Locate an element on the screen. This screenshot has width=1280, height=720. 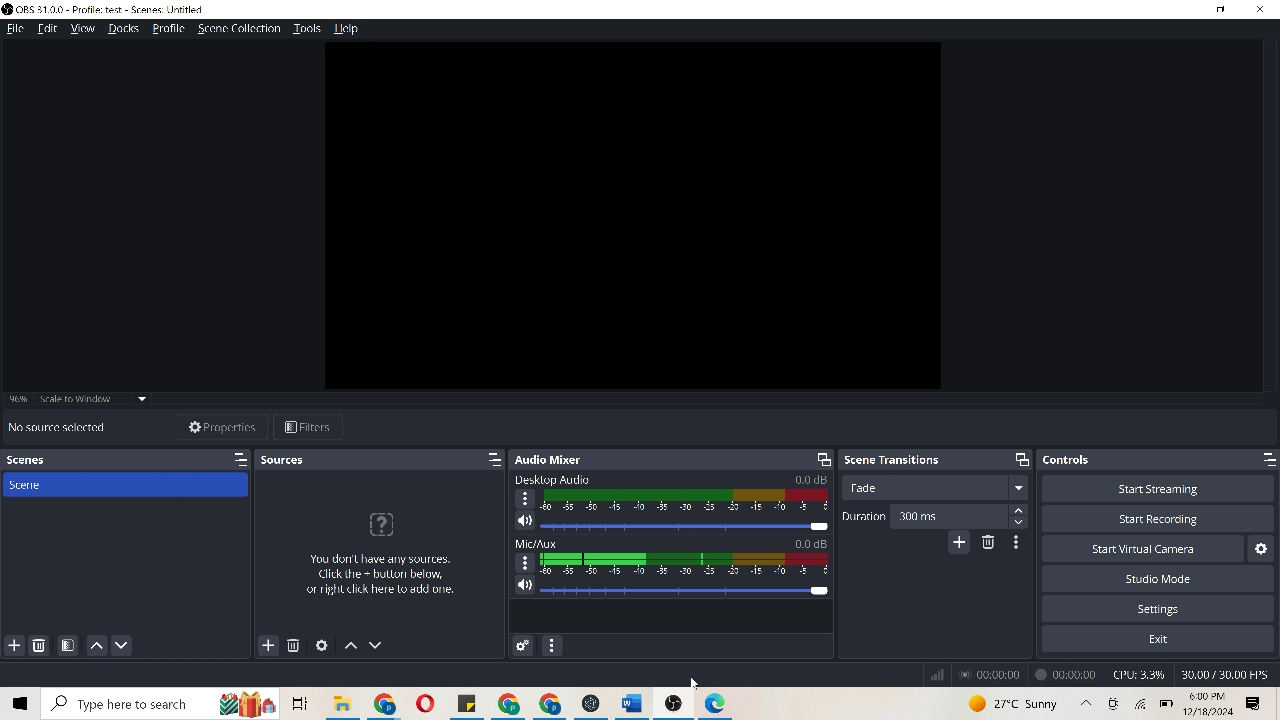
Desktop Audio is located at coordinates (563, 479).